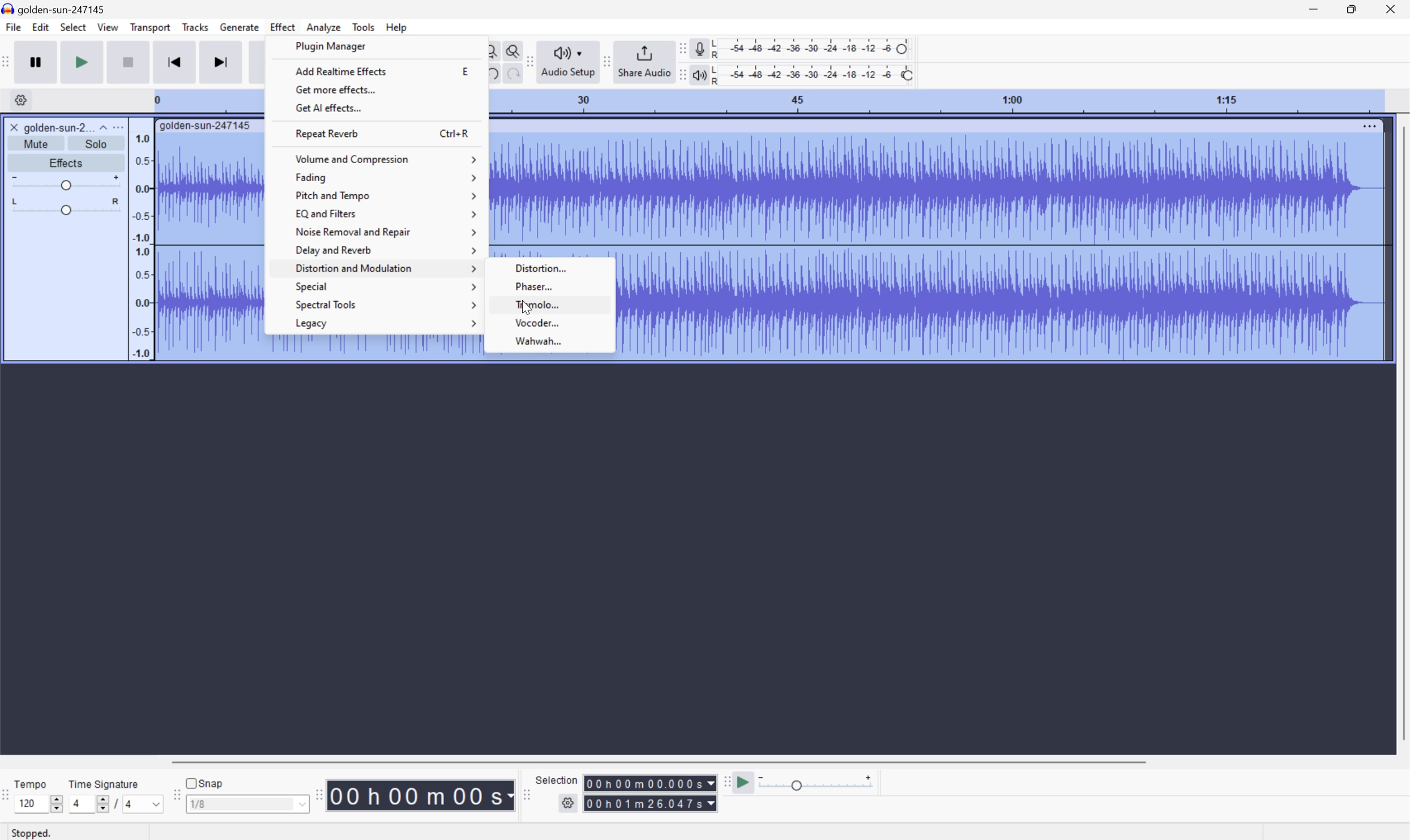  Describe the element at coordinates (96, 143) in the screenshot. I see `Solo` at that location.